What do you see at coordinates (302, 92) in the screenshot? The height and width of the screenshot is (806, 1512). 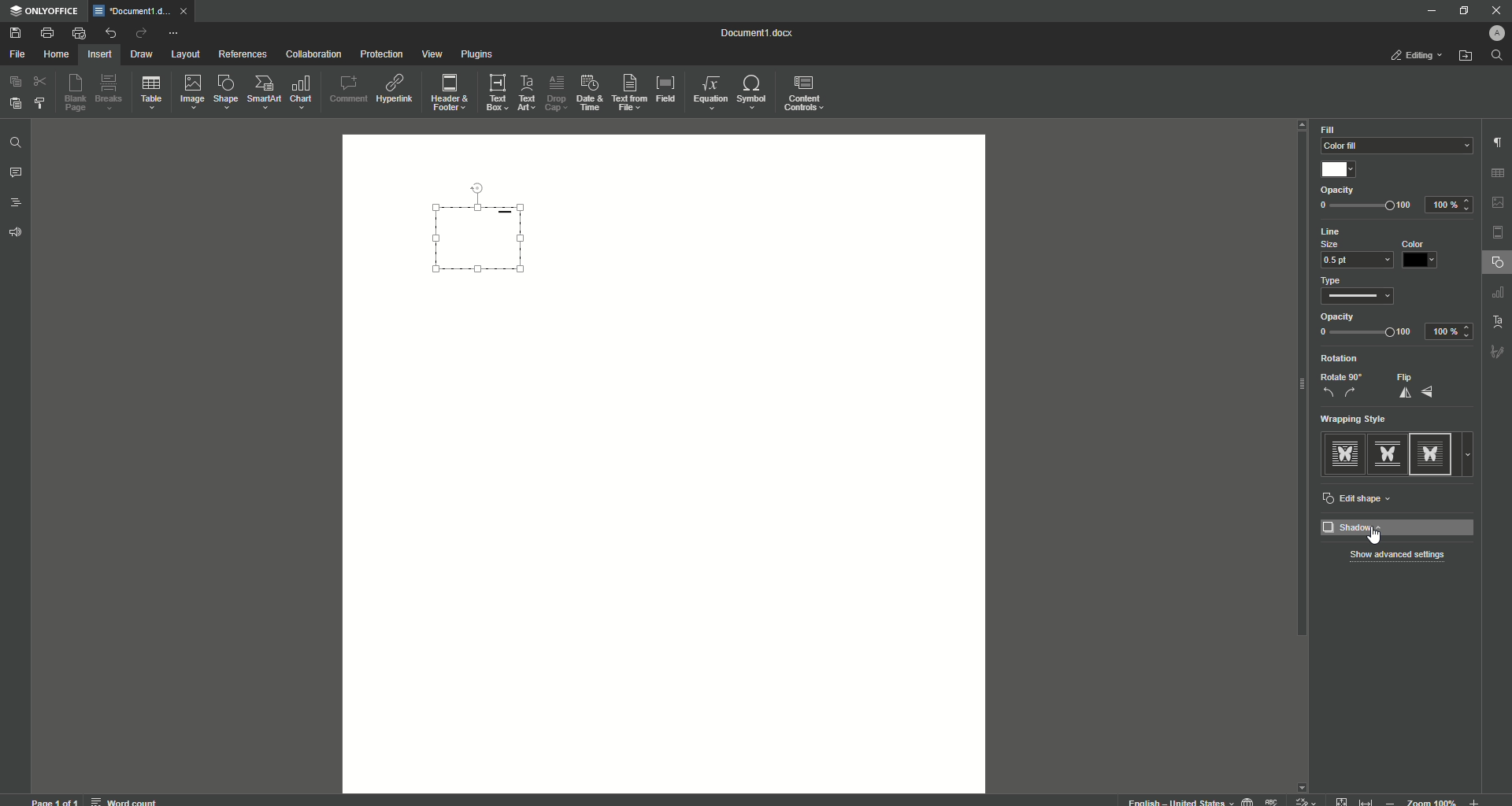 I see `Chart` at bounding box center [302, 92].